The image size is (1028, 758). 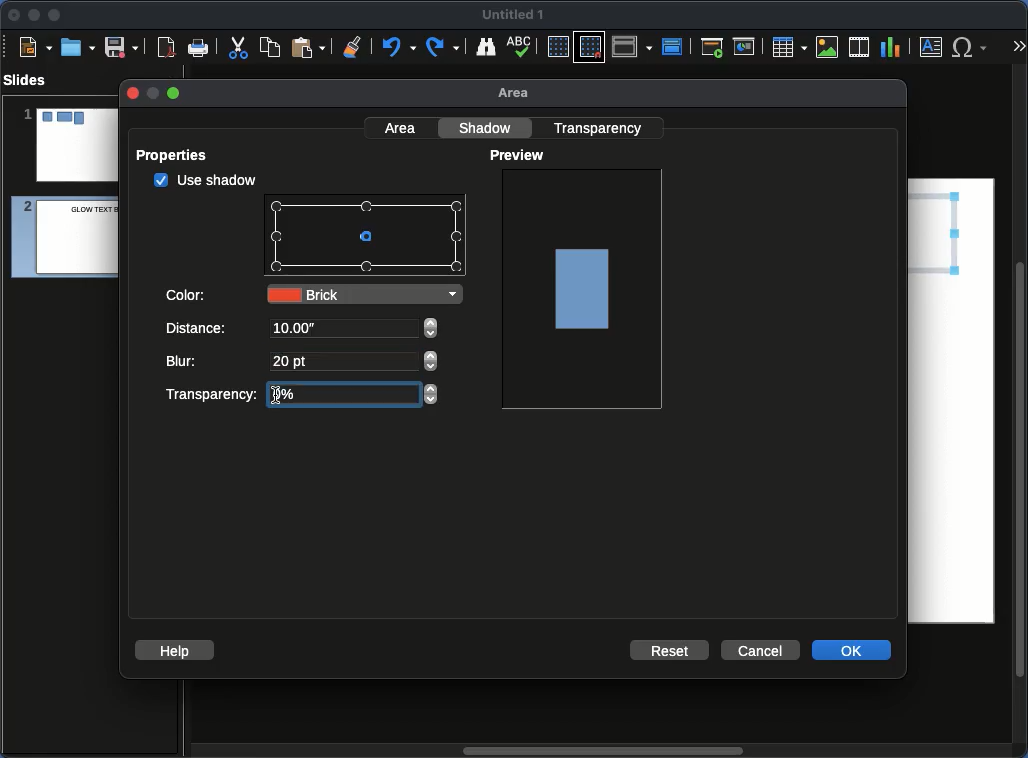 I want to click on adjust, so click(x=432, y=395).